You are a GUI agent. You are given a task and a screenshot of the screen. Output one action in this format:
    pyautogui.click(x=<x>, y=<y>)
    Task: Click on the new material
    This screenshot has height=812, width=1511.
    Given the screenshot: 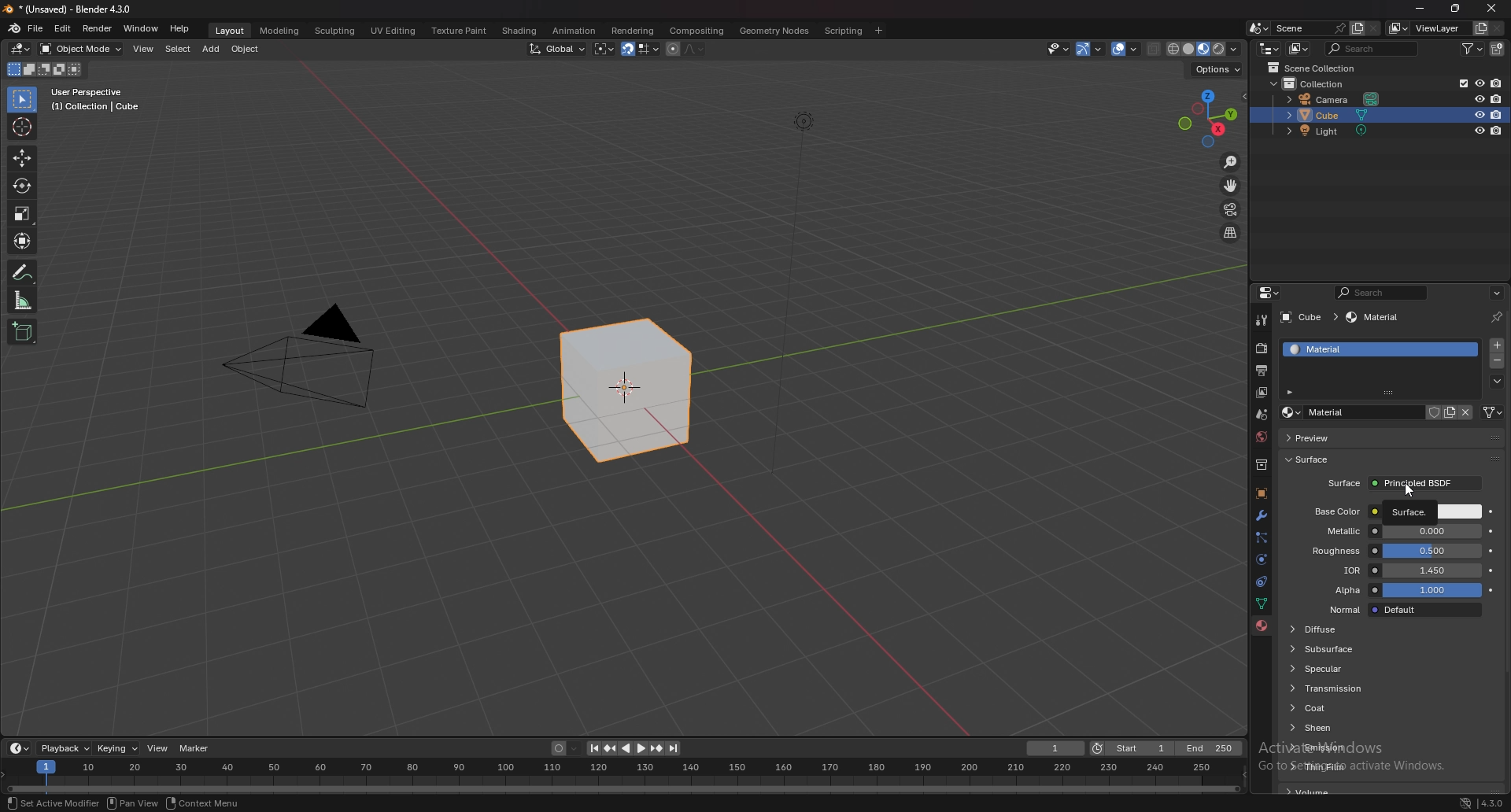 What is the action you would take?
    pyautogui.click(x=1450, y=412)
    